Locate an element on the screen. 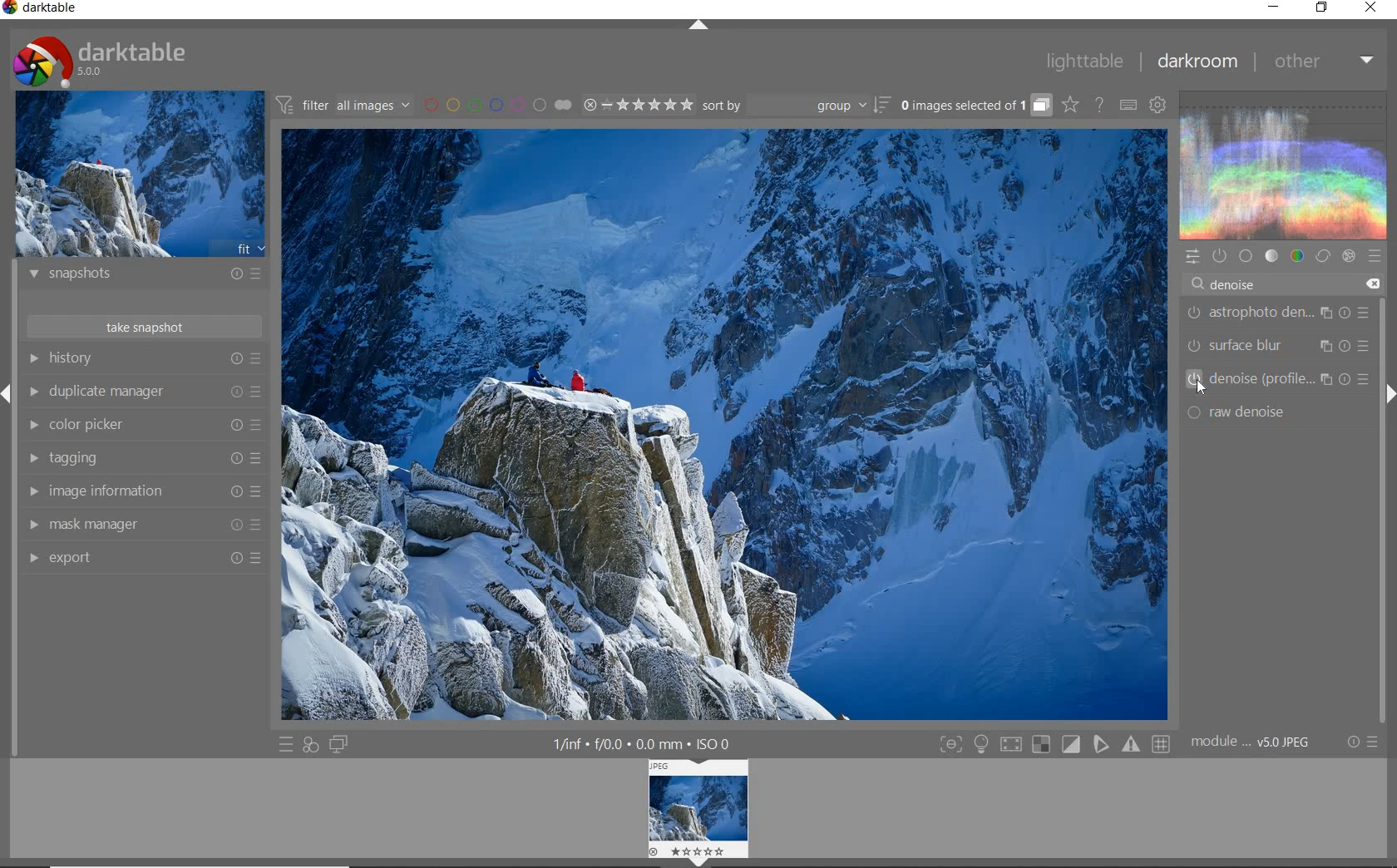 This screenshot has width=1397, height=868. IMAGE is located at coordinates (699, 811).